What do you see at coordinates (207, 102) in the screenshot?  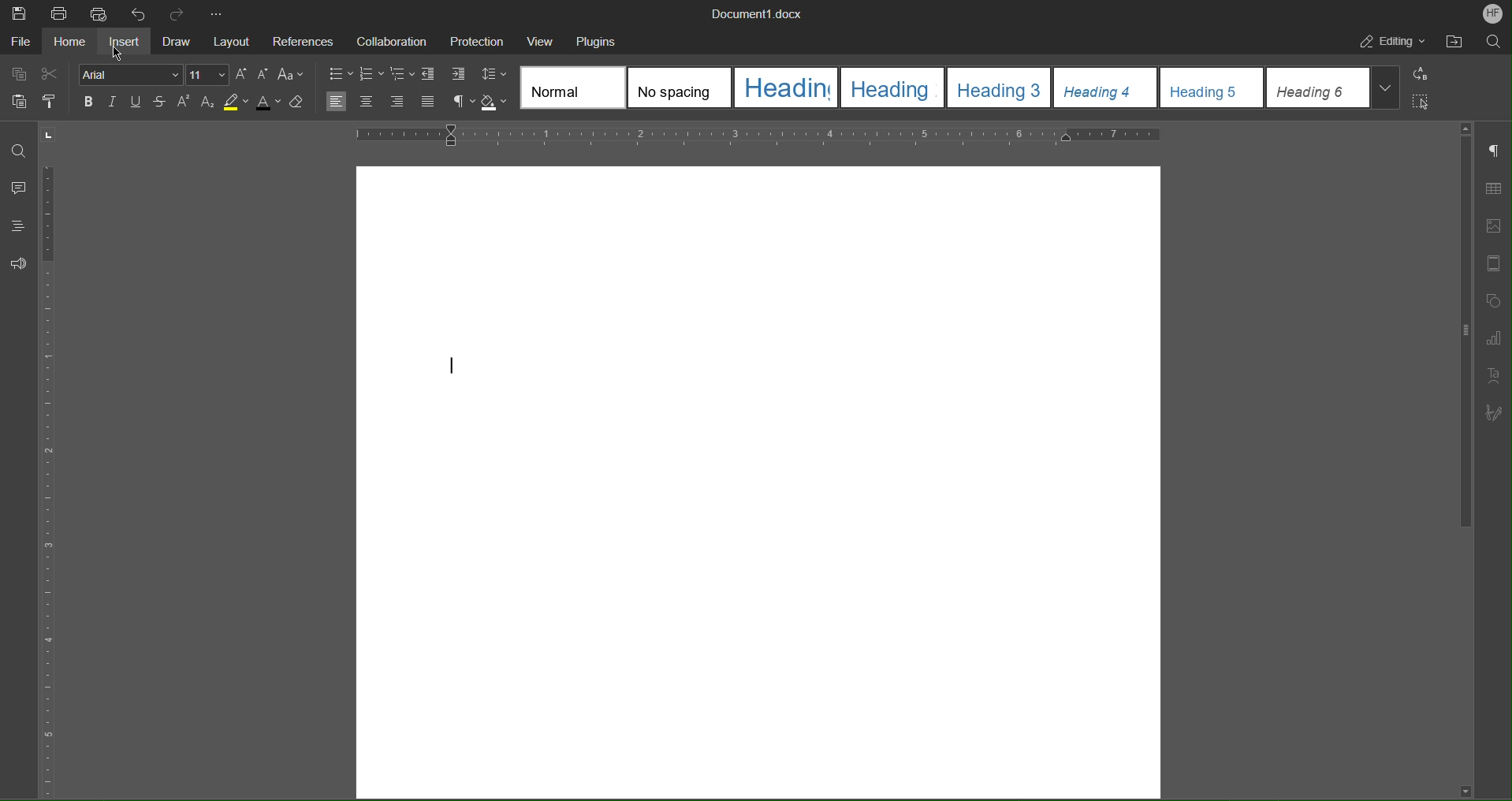 I see `Subscript` at bounding box center [207, 102].